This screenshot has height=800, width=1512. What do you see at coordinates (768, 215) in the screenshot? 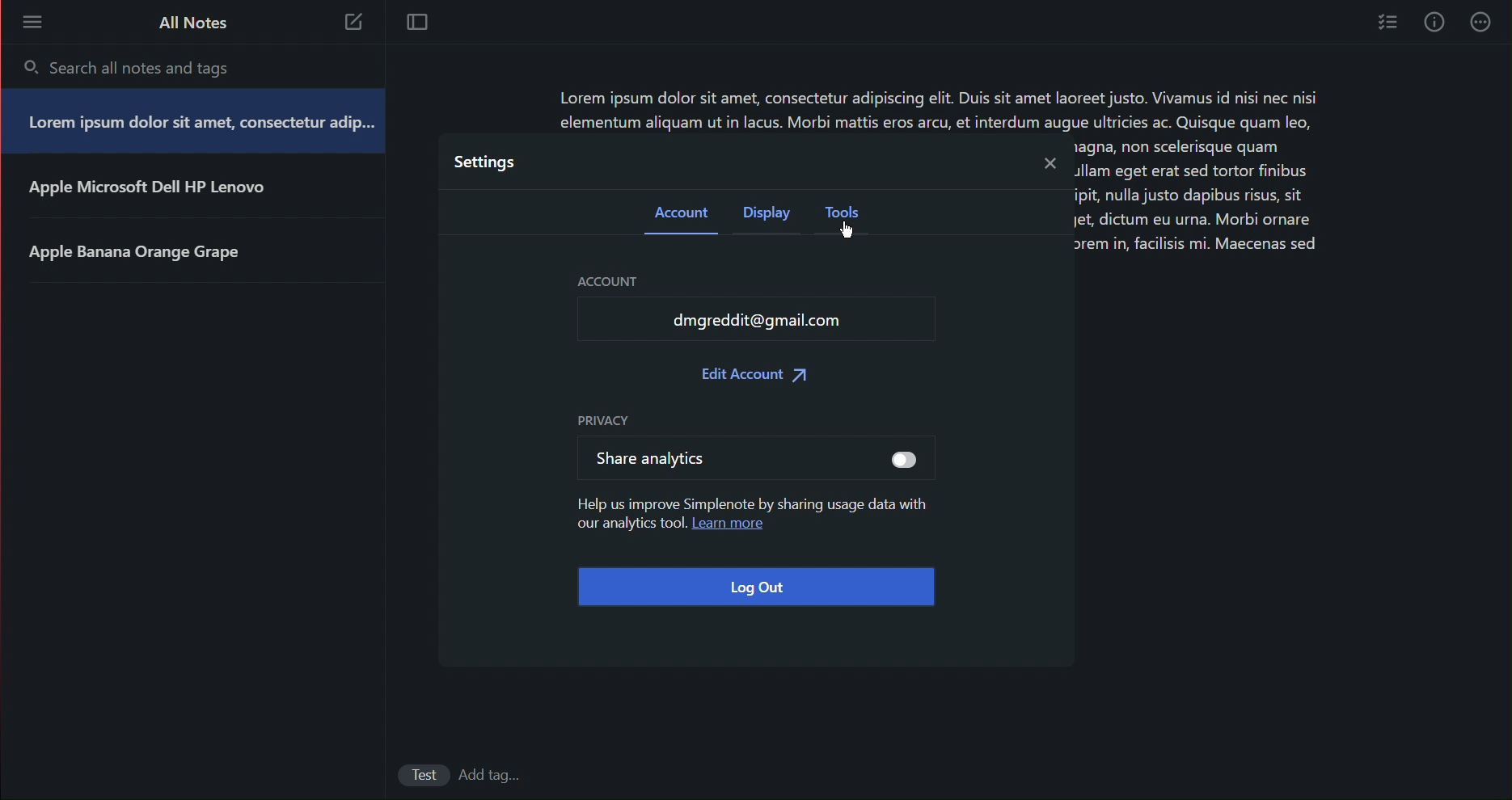
I see `Display` at bounding box center [768, 215].